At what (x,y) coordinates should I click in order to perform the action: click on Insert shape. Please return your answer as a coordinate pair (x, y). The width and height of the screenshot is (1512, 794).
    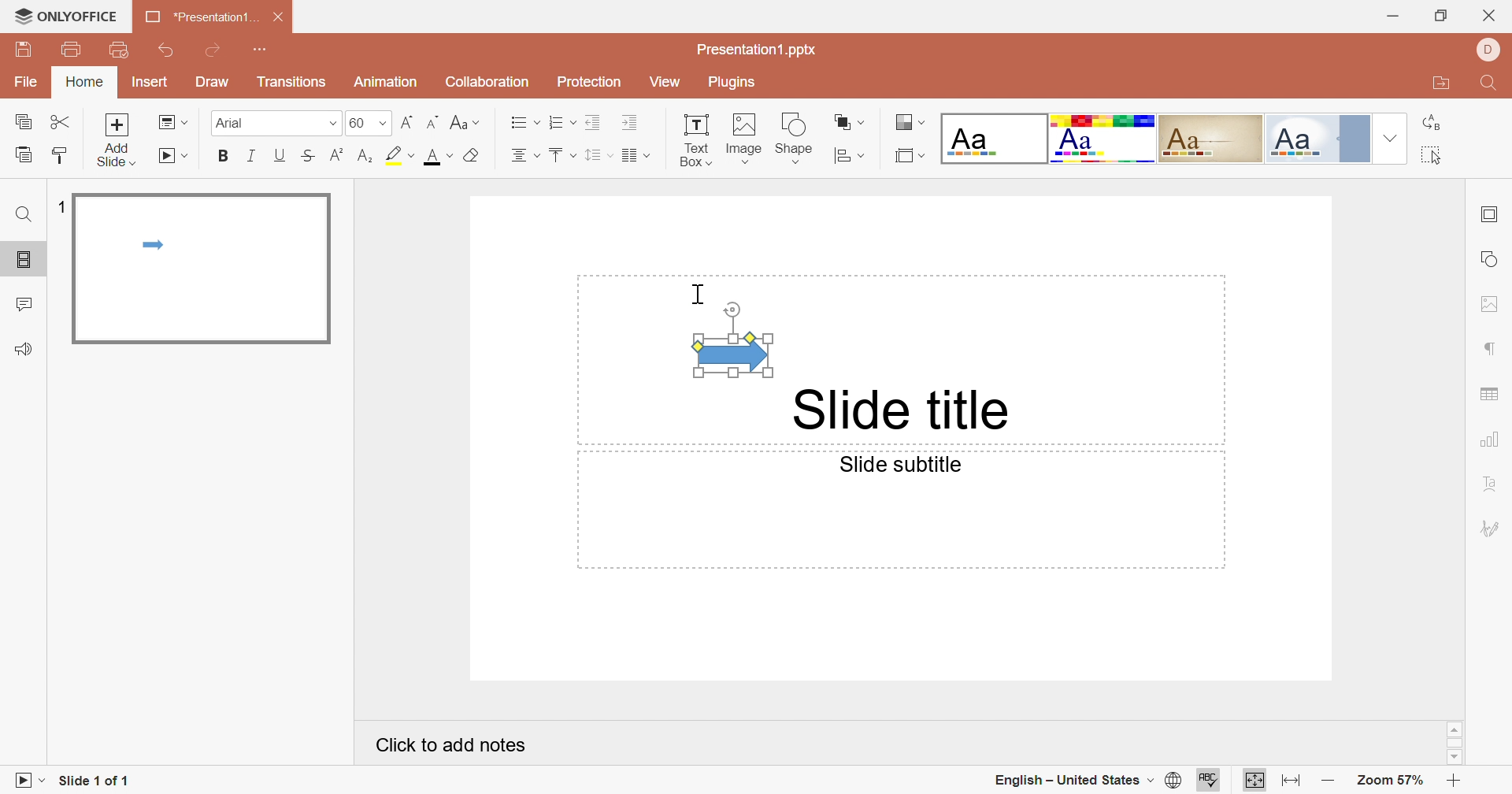
    Looking at the image, I should click on (848, 154).